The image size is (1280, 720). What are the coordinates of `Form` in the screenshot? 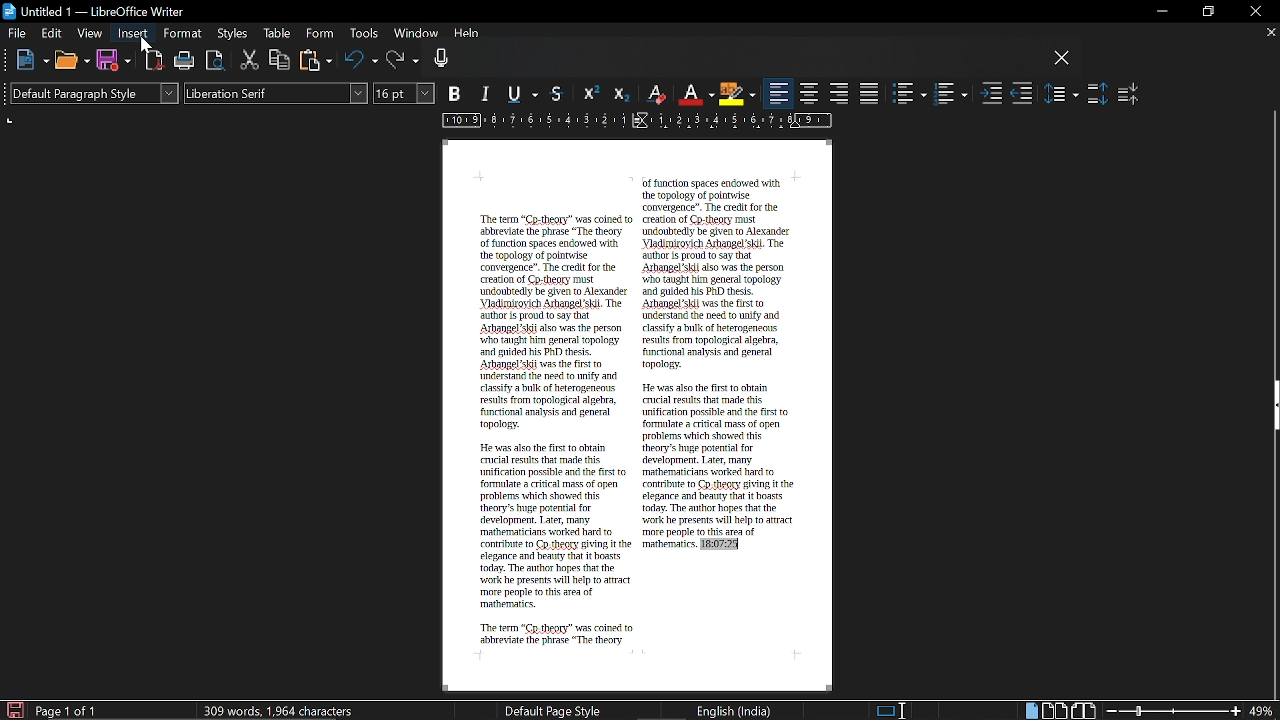 It's located at (320, 34).